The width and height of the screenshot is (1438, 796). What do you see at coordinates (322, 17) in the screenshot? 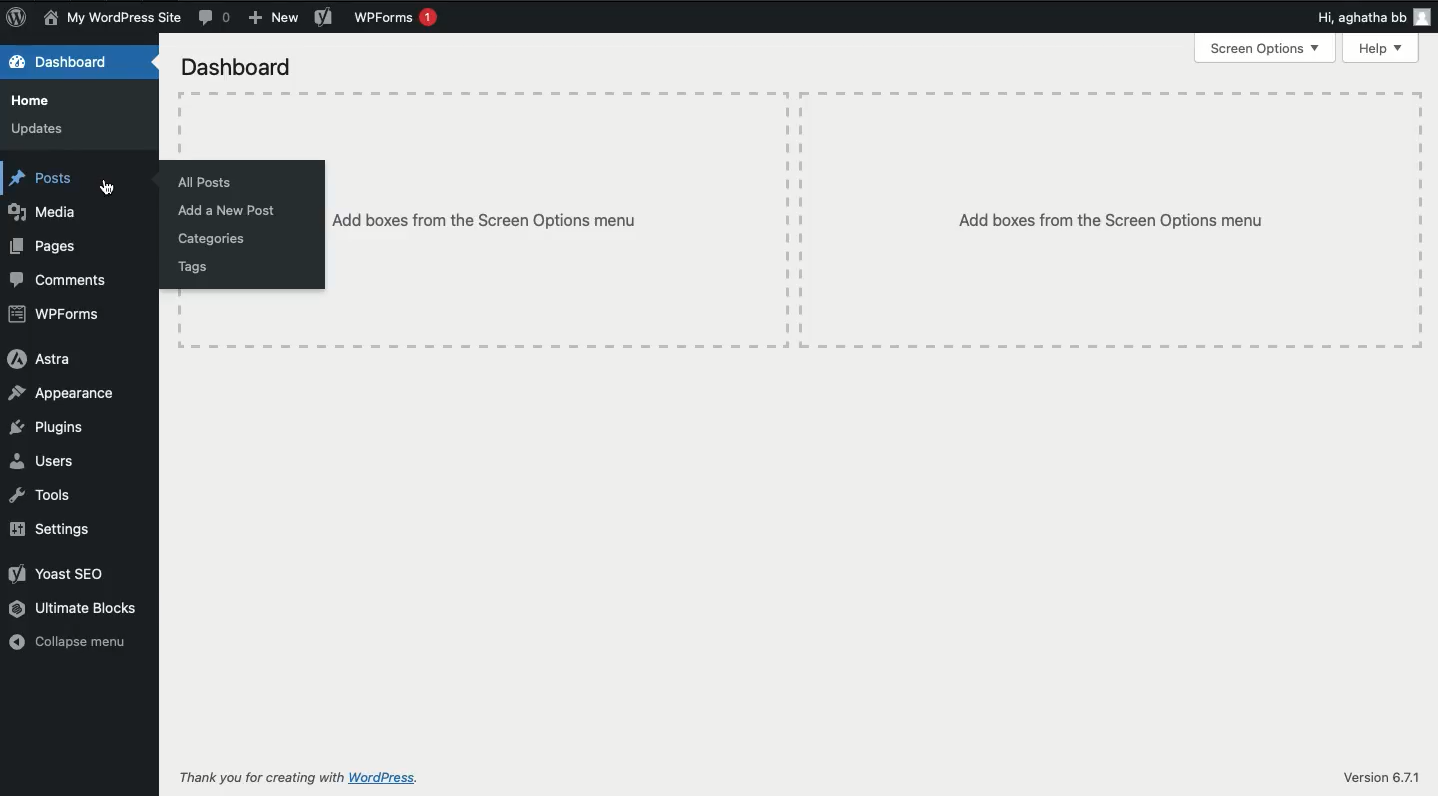
I see `Yoast` at bounding box center [322, 17].